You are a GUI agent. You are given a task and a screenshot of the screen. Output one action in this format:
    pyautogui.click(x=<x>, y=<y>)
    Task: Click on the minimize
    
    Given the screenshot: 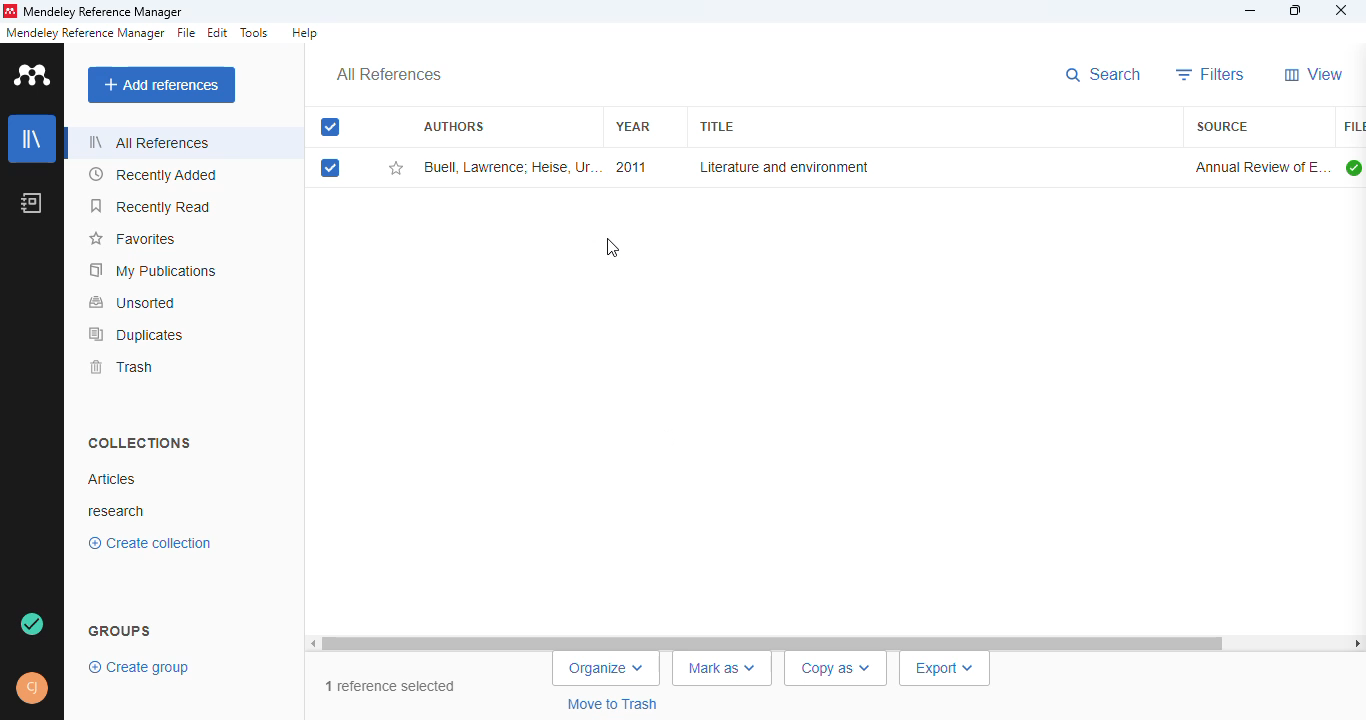 What is the action you would take?
    pyautogui.click(x=1251, y=12)
    